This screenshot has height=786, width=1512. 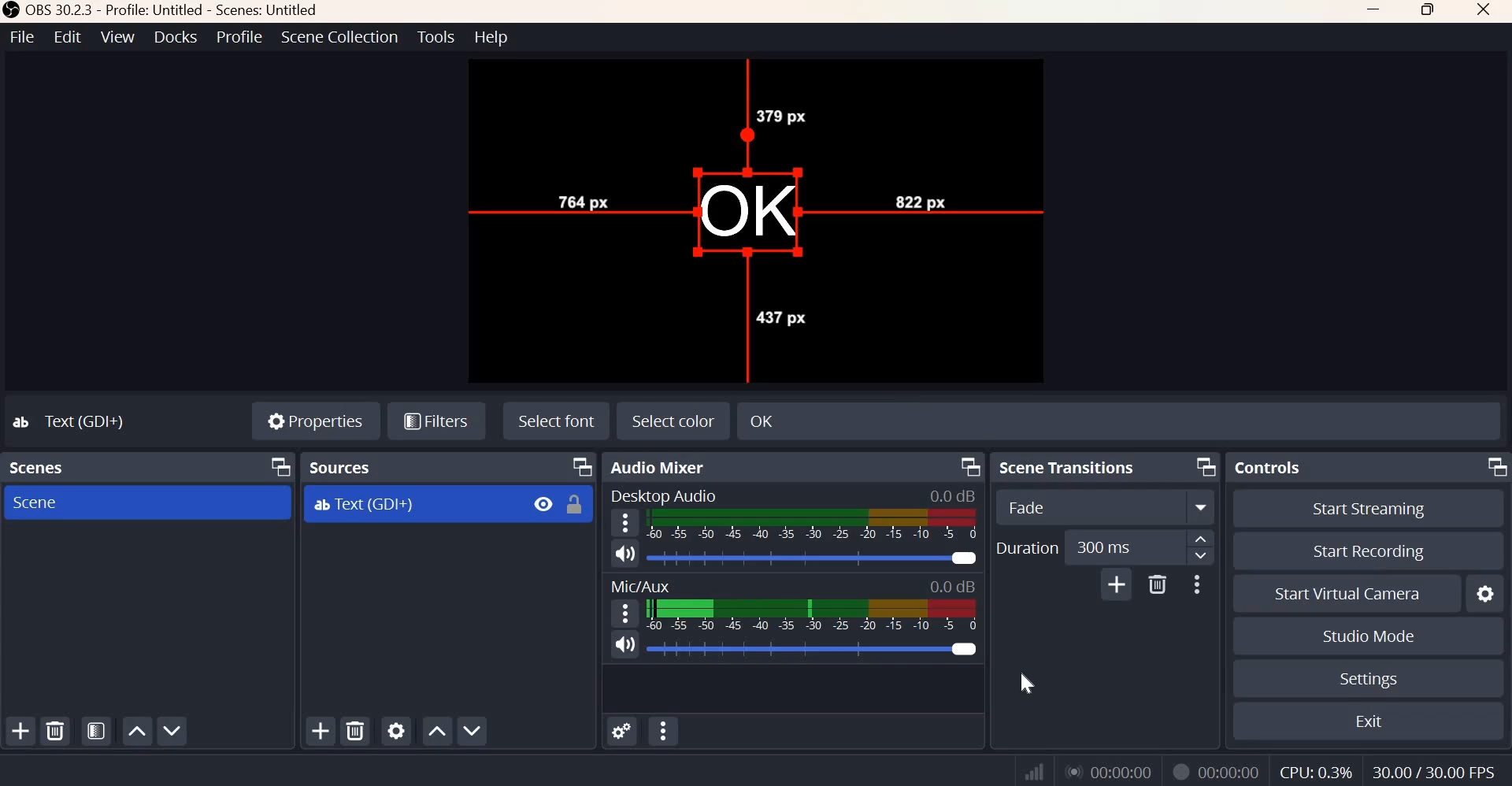 I want to click on configure virtual camera, so click(x=1484, y=593).